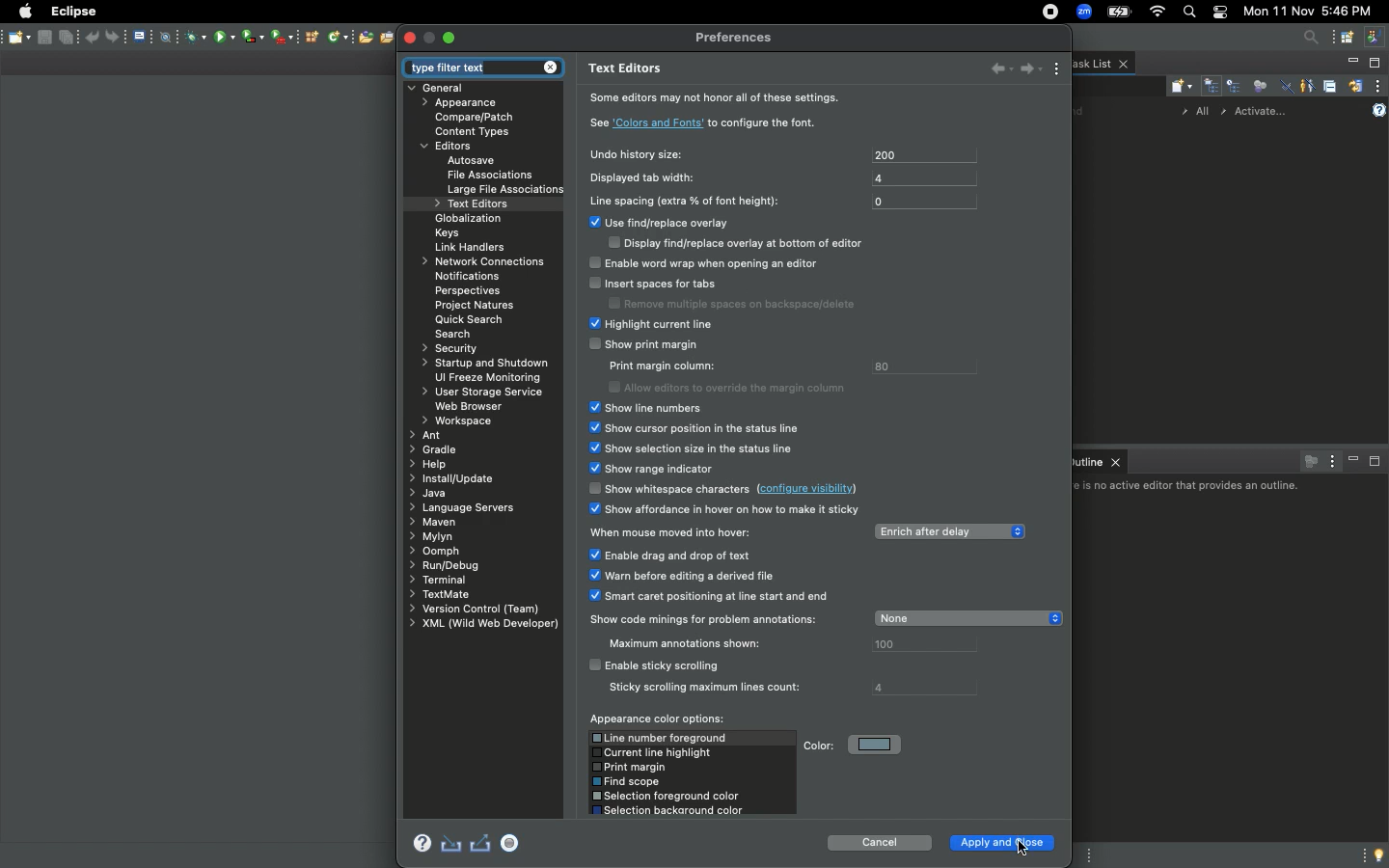 This screenshot has width=1389, height=868. What do you see at coordinates (1380, 108) in the screenshot?
I see `Help` at bounding box center [1380, 108].